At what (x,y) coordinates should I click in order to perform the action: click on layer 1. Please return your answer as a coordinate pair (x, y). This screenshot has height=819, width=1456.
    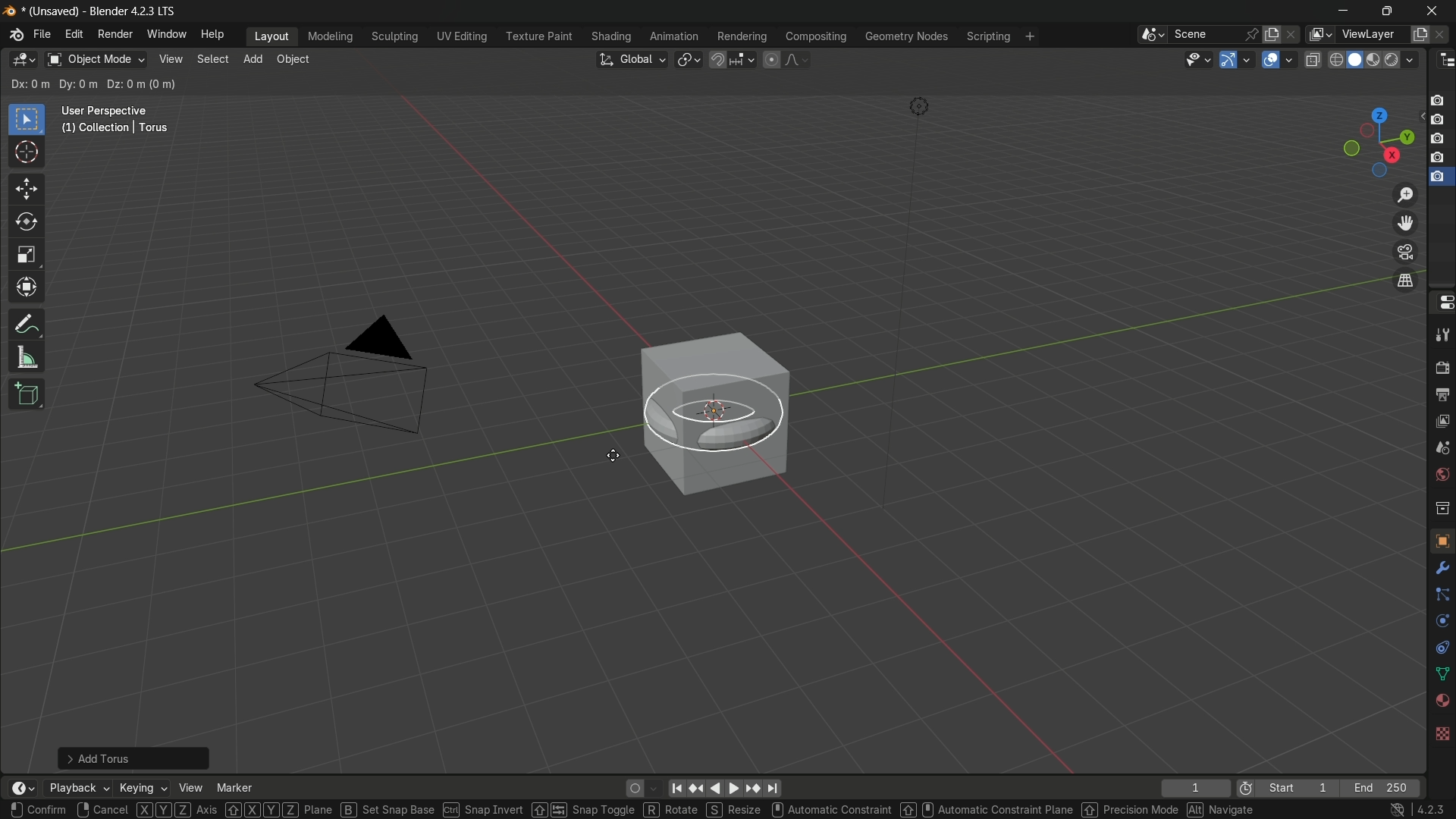
    Looking at the image, I should click on (1437, 101).